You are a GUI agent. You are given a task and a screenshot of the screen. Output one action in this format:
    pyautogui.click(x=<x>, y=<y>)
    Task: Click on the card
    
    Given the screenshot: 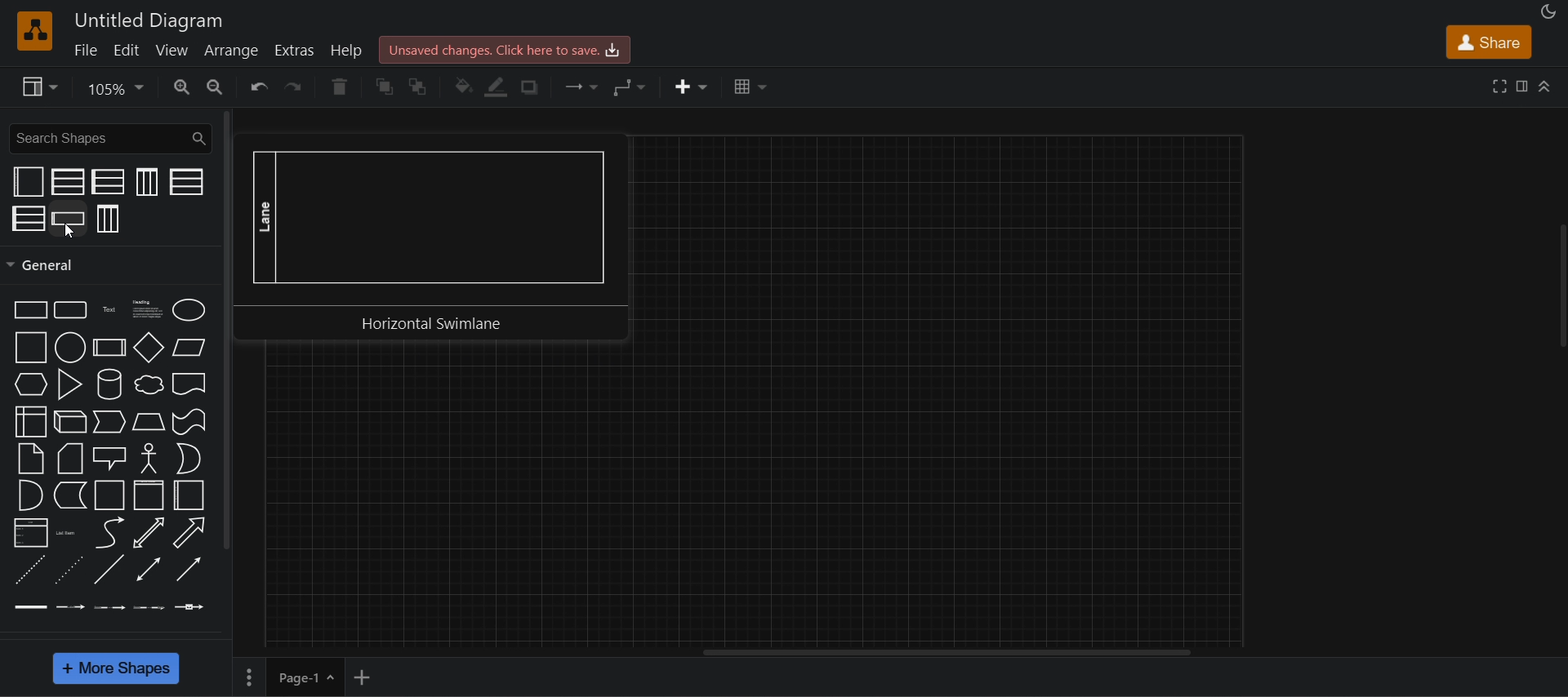 What is the action you would take?
    pyautogui.click(x=70, y=458)
    